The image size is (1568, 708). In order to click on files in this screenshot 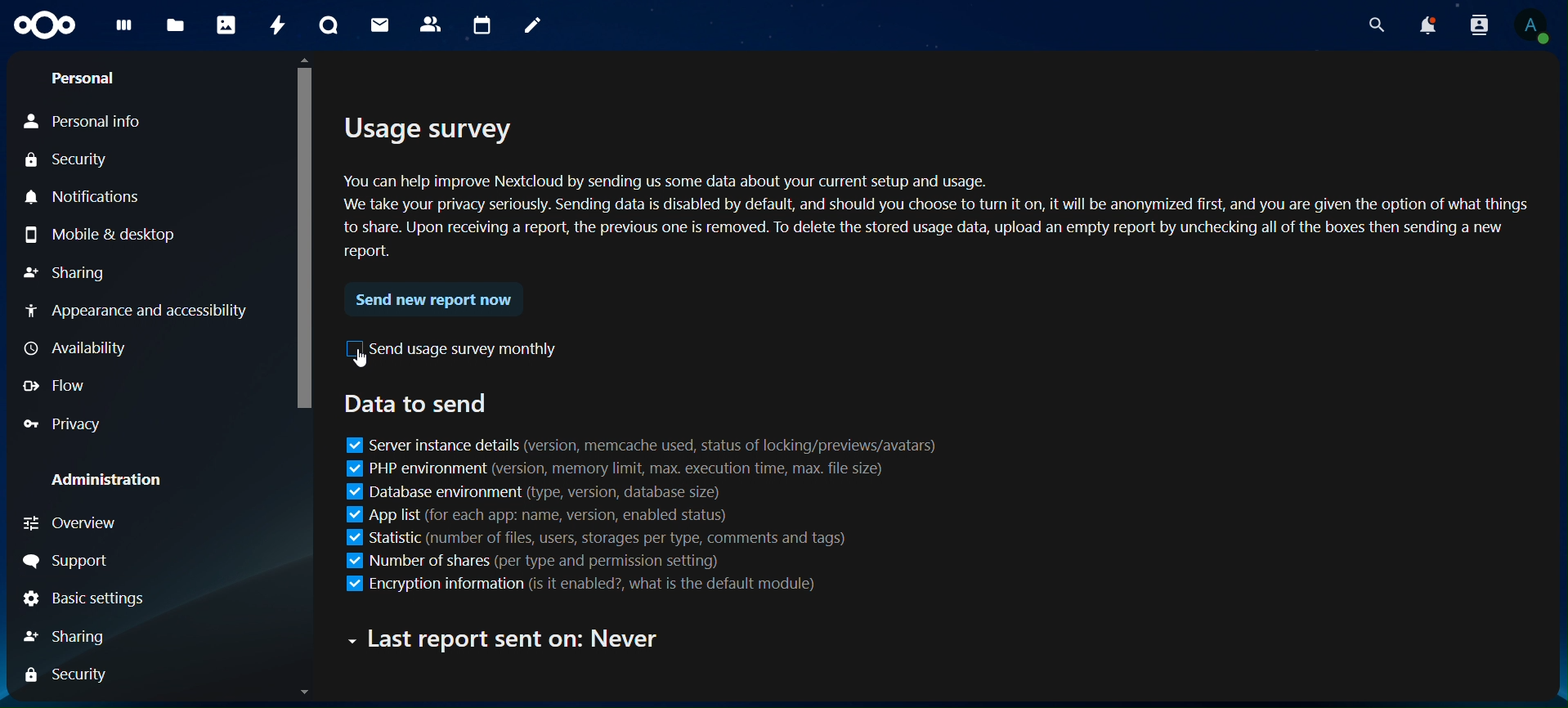, I will do `click(177, 23)`.